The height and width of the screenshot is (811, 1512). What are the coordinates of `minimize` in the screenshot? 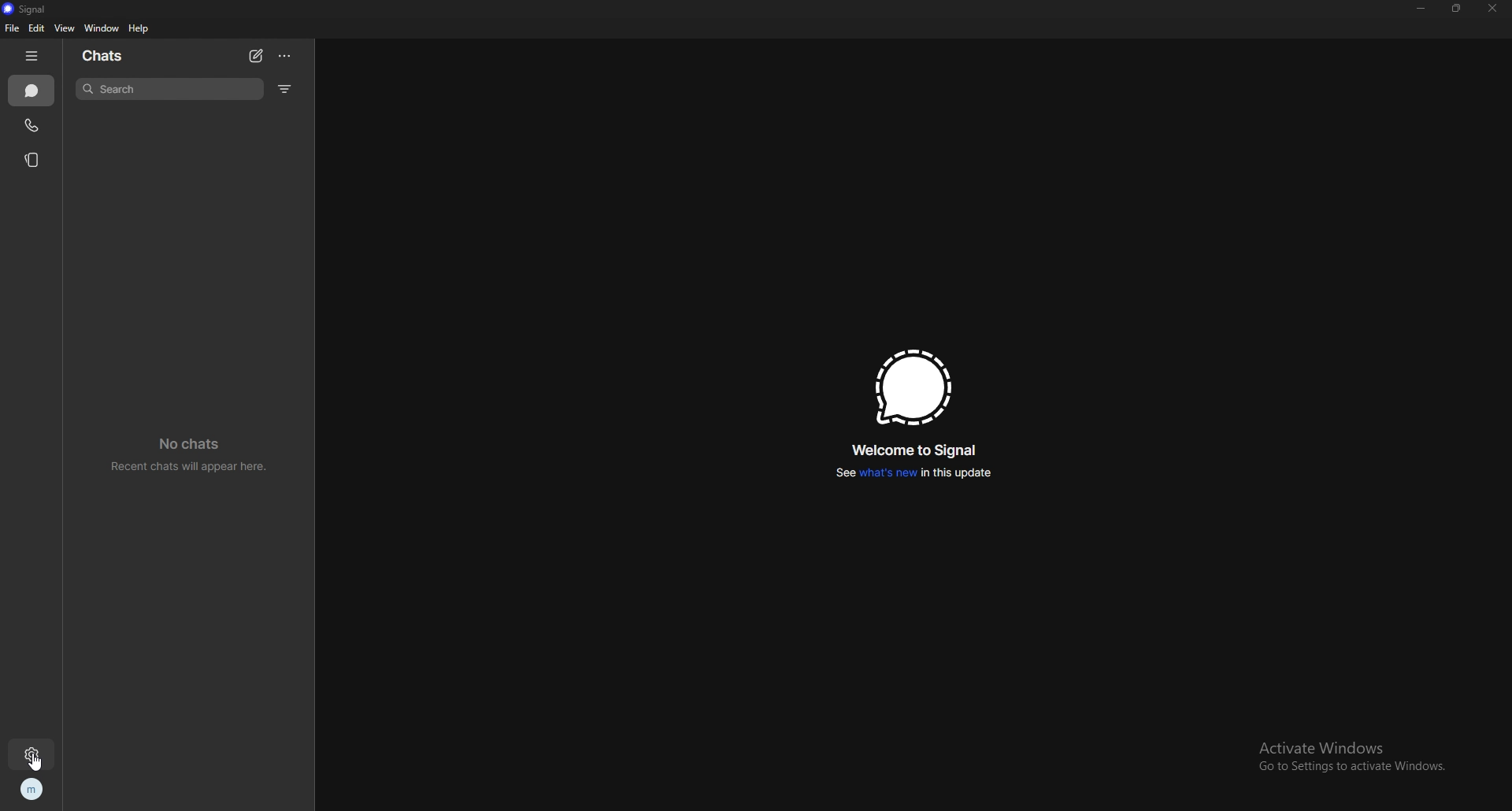 It's located at (1421, 8).